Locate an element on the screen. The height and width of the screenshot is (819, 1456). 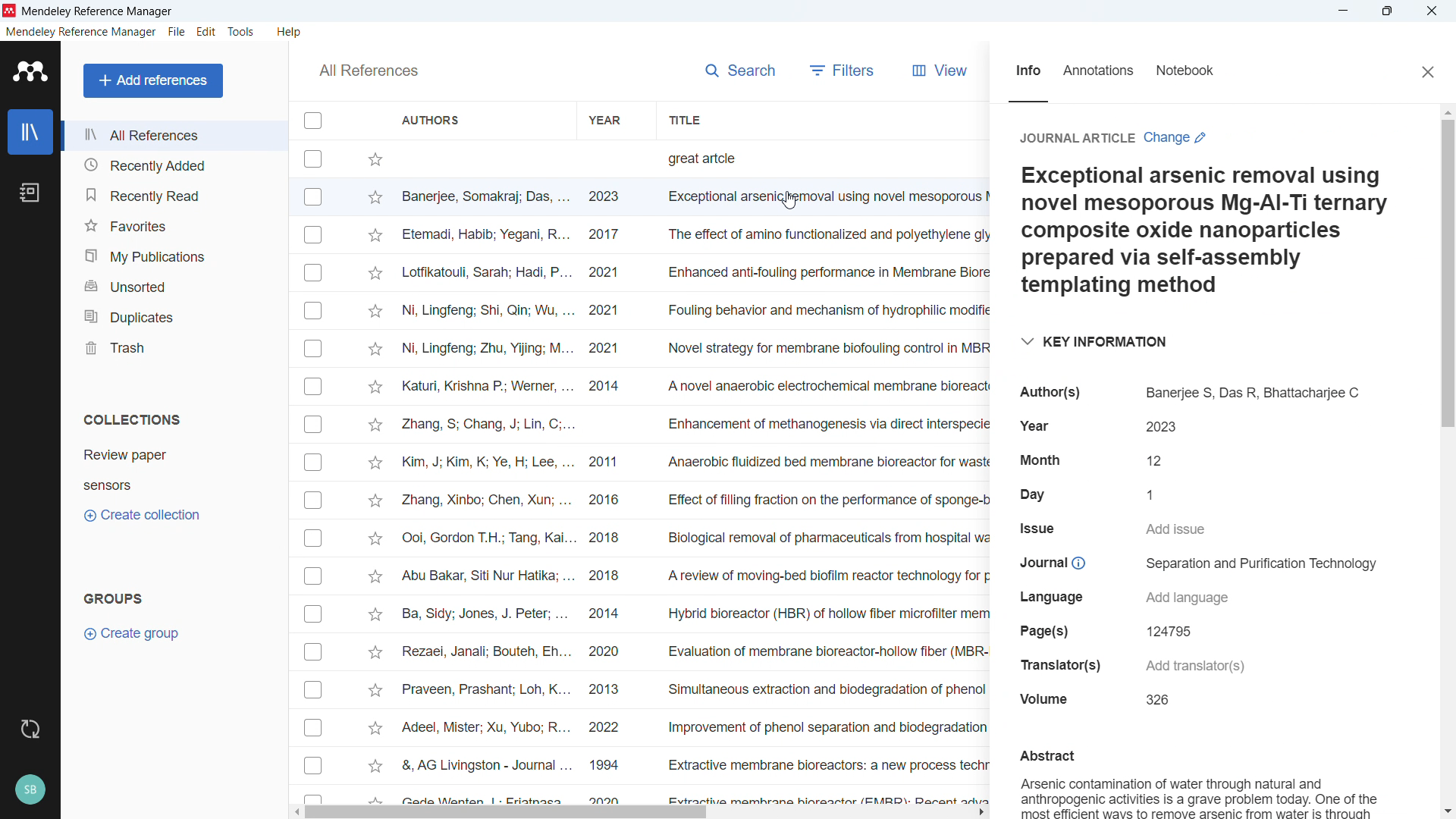
Search is located at coordinates (739, 71).